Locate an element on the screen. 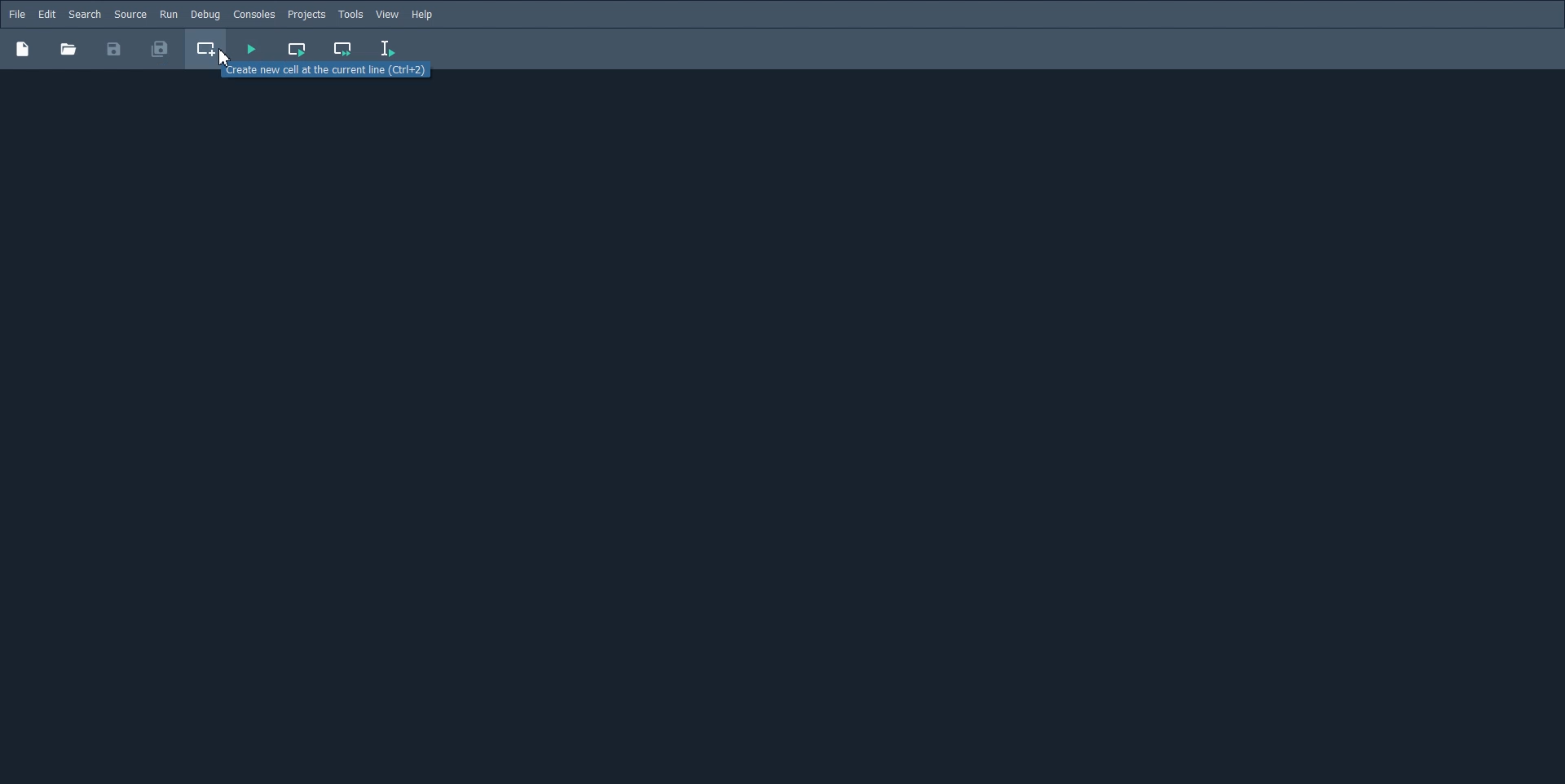 The width and height of the screenshot is (1565, 784). Projects is located at coordinates (306, 15).